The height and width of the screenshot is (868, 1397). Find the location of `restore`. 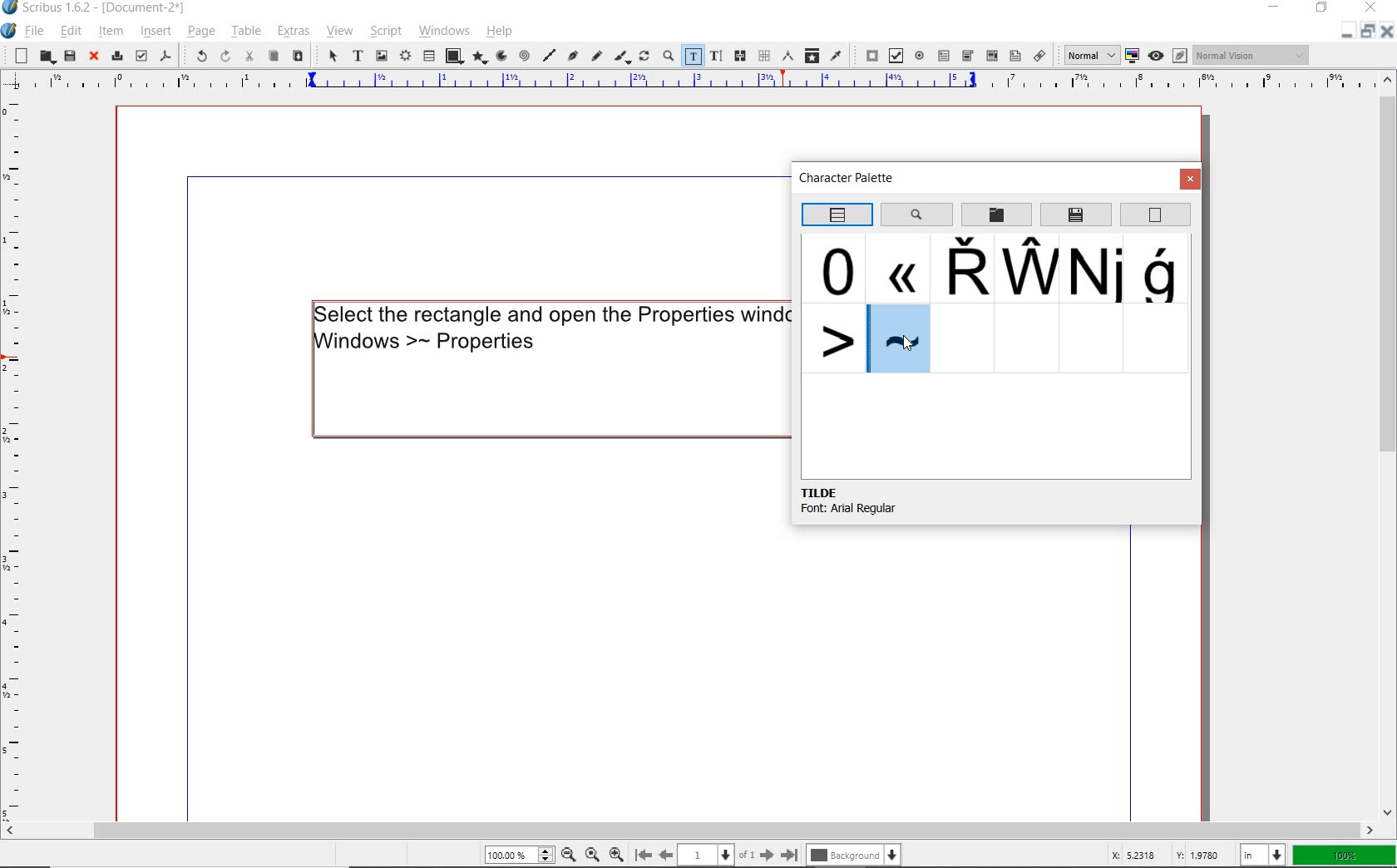

restore is located at coordinates (1366, 34).